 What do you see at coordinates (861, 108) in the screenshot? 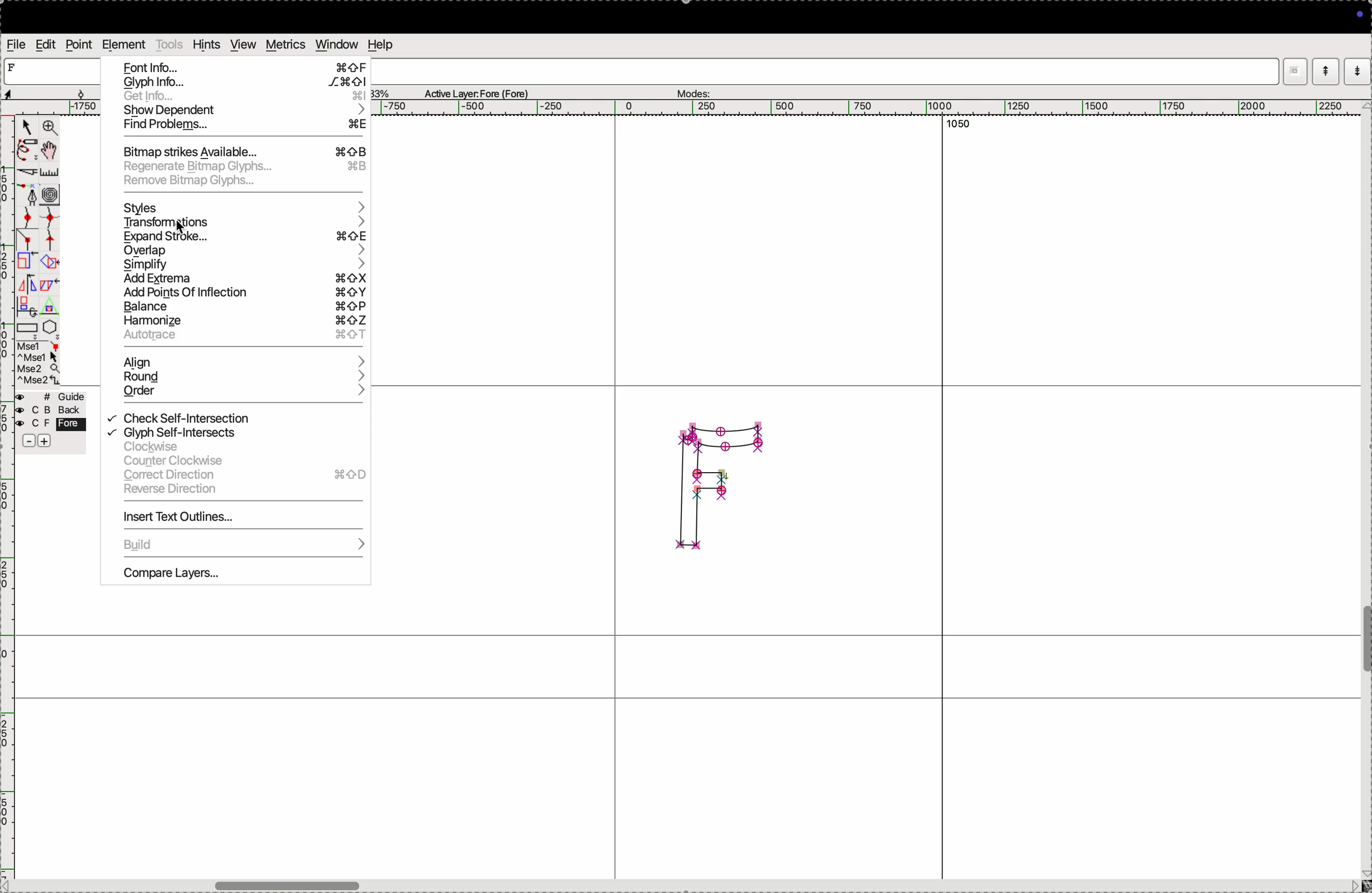
I see `horizontal scale` at bounding box center [861, 108].